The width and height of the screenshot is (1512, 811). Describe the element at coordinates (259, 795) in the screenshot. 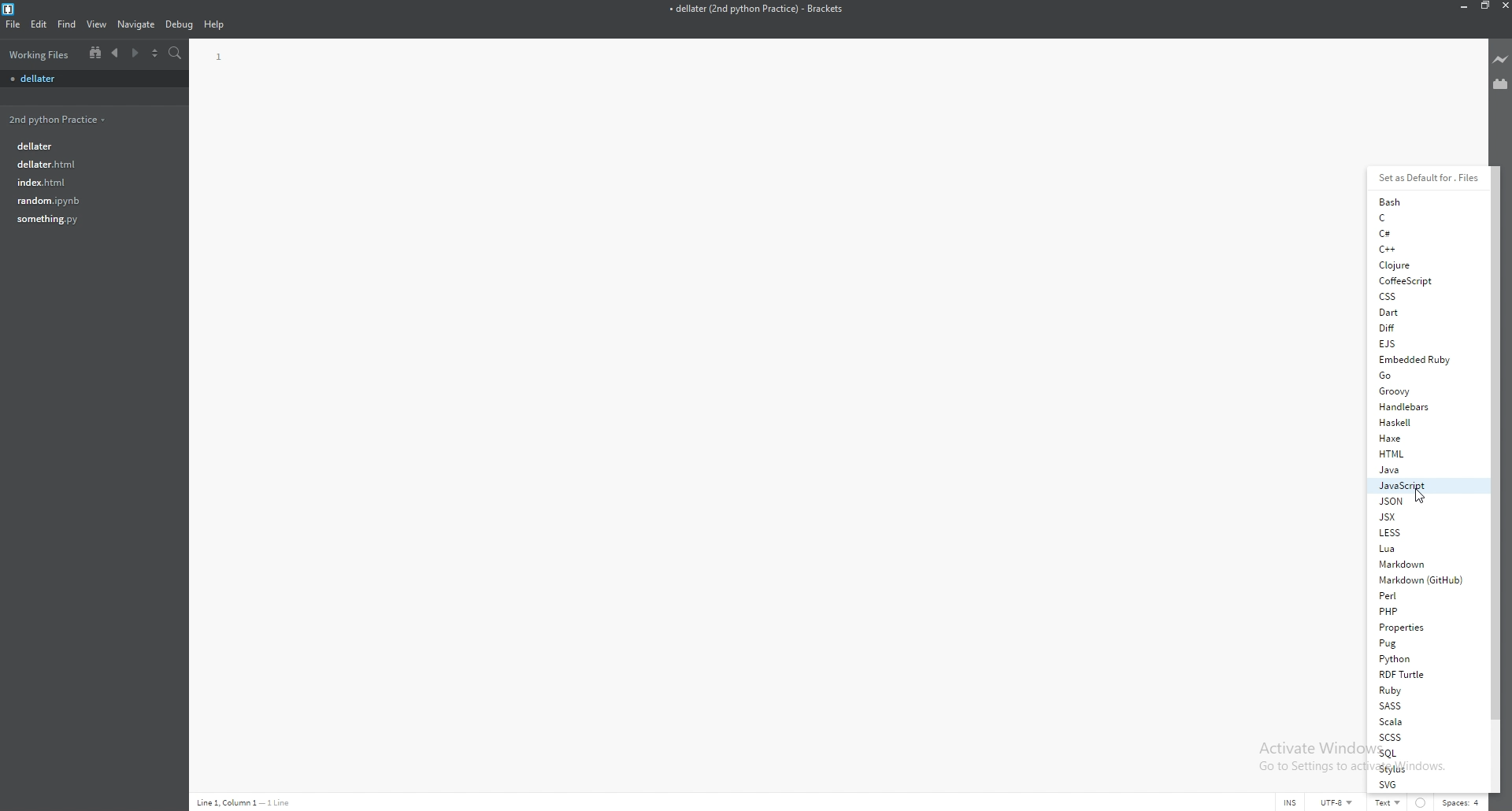

I see `description` at that location.